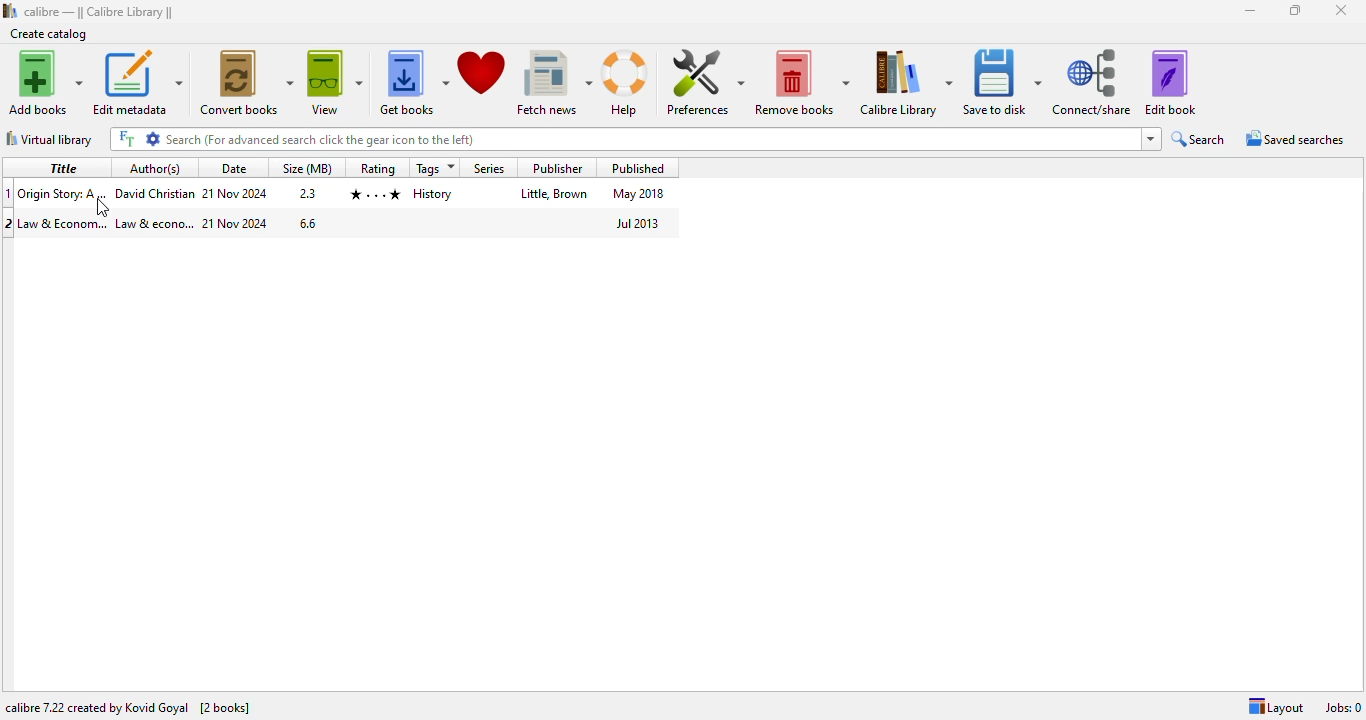  What do you see at coordinates (557, 168) in the screenshot?
I see `publisher` at bounding box center [557, 168].